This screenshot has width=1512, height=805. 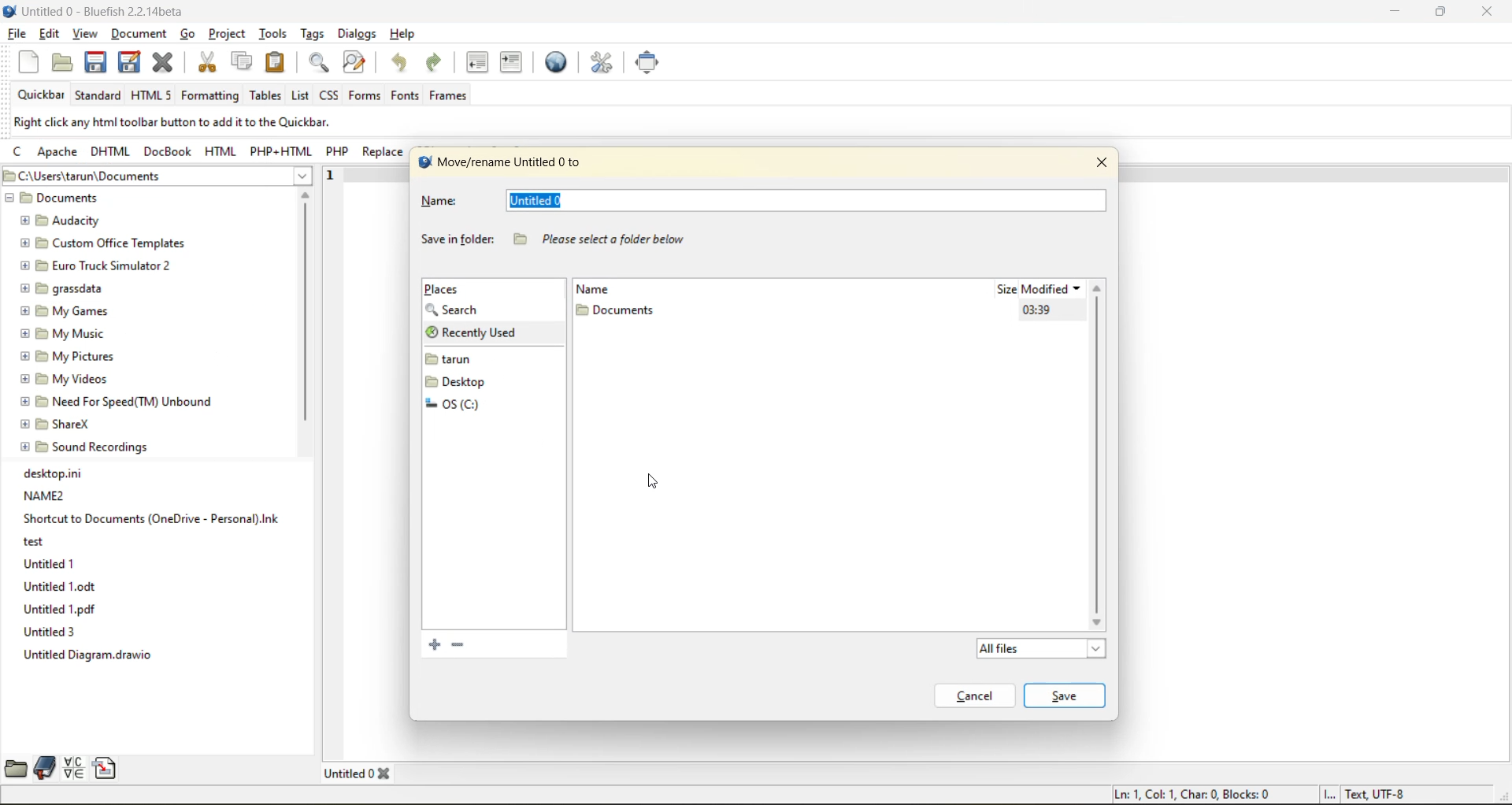 I want to click on css, so click(x=330, y=95).